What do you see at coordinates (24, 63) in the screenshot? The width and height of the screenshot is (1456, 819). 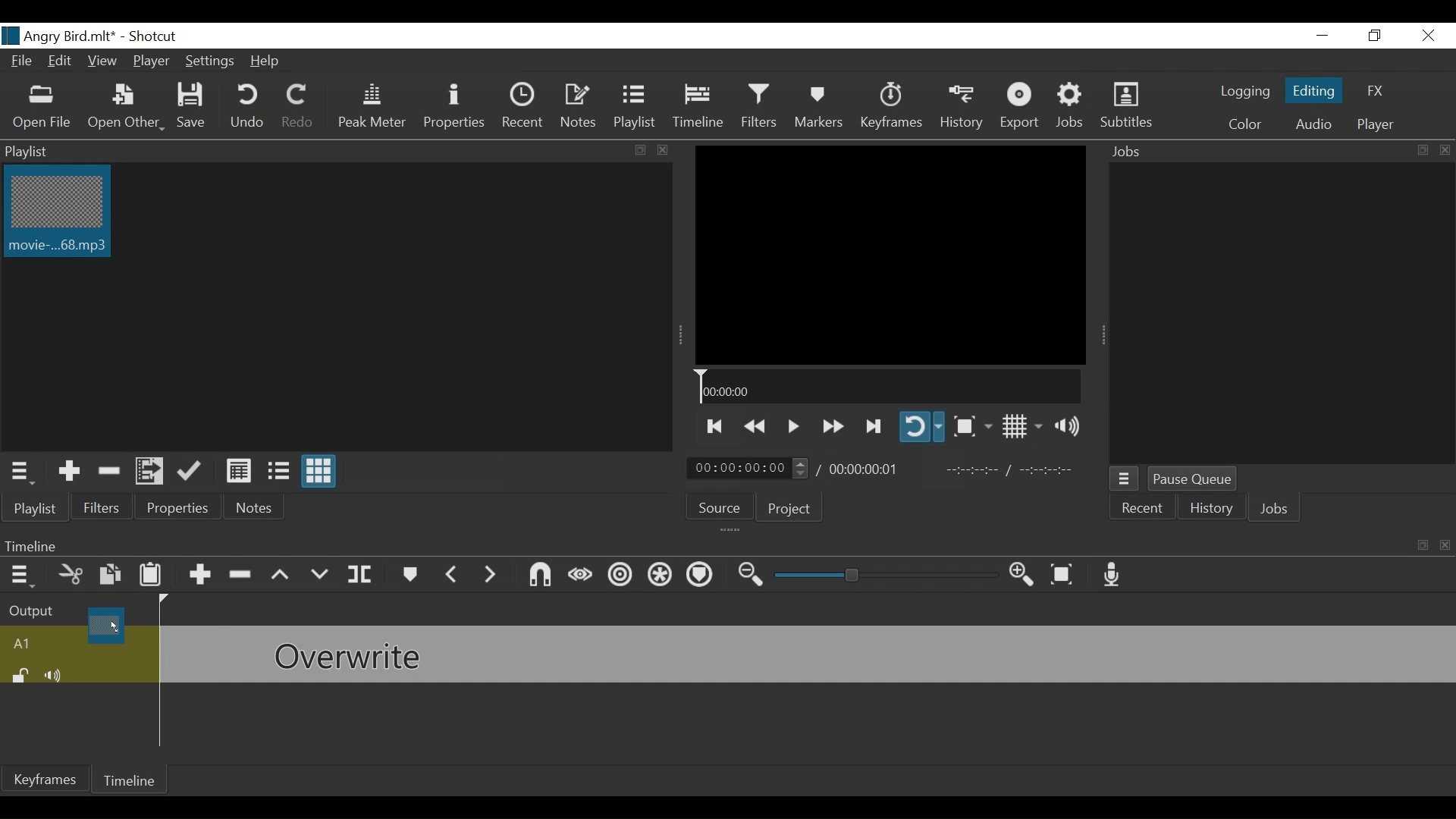 I see `File` at bounding box center [24, 63].